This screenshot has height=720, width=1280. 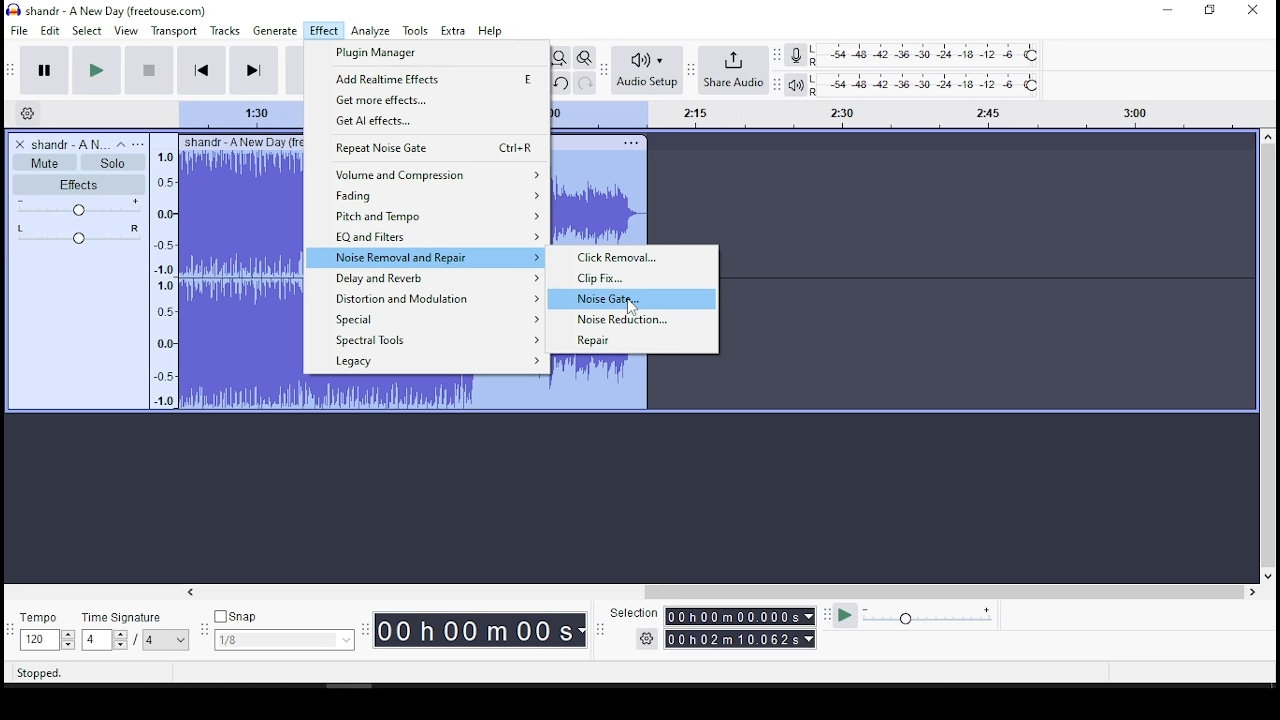 I want to click on transport, so click(x=174, y=30).